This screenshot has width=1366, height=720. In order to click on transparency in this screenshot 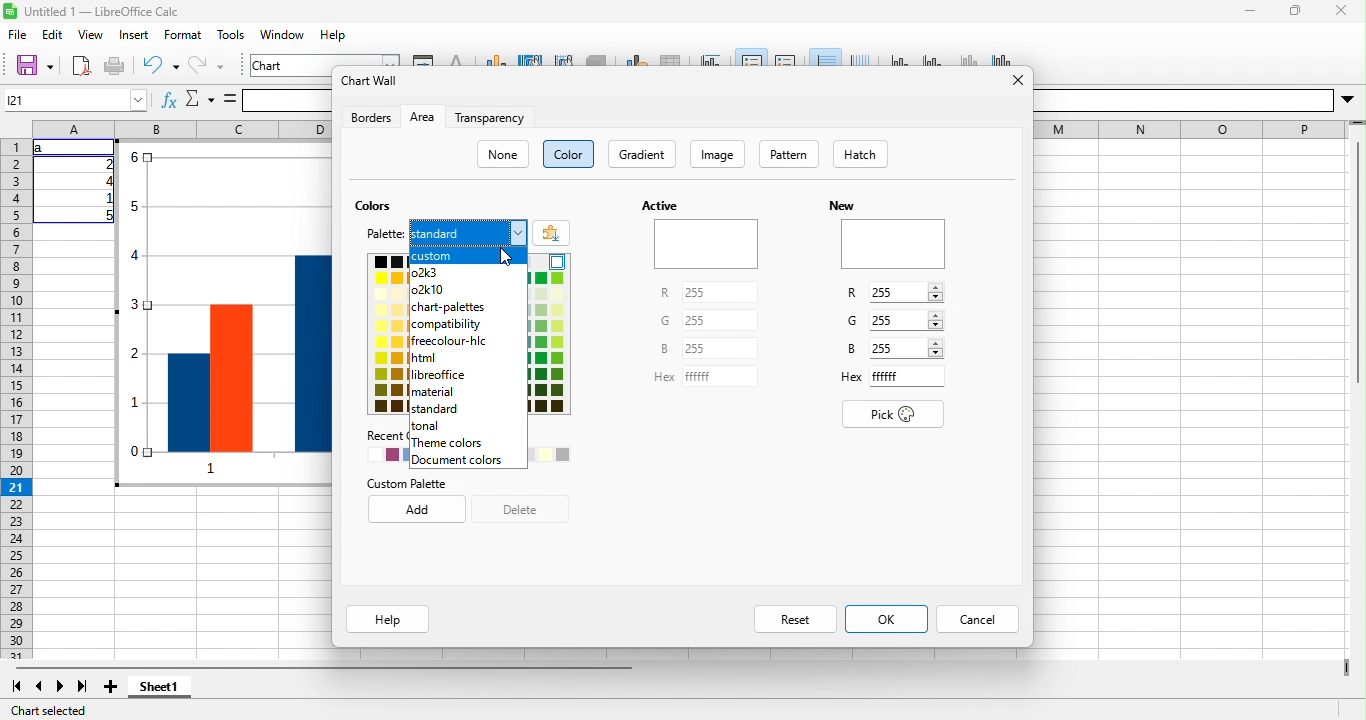, I will do `click(490, 117)`.